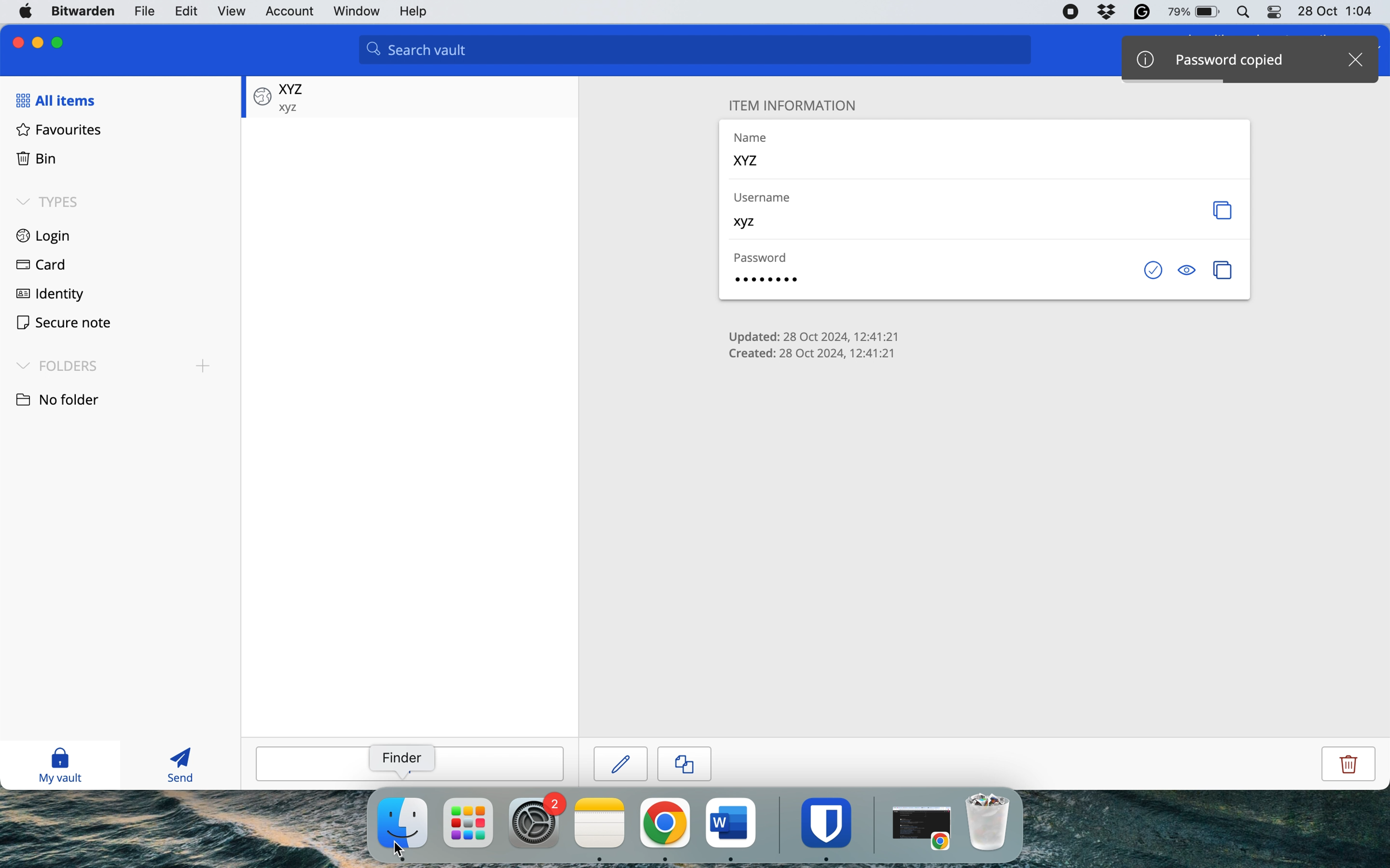 This screenshot has height=868, width=1390. What do you see at coordinates (50, 296) in the screenshot?
I see `identity` at bounding box center [50, 296].